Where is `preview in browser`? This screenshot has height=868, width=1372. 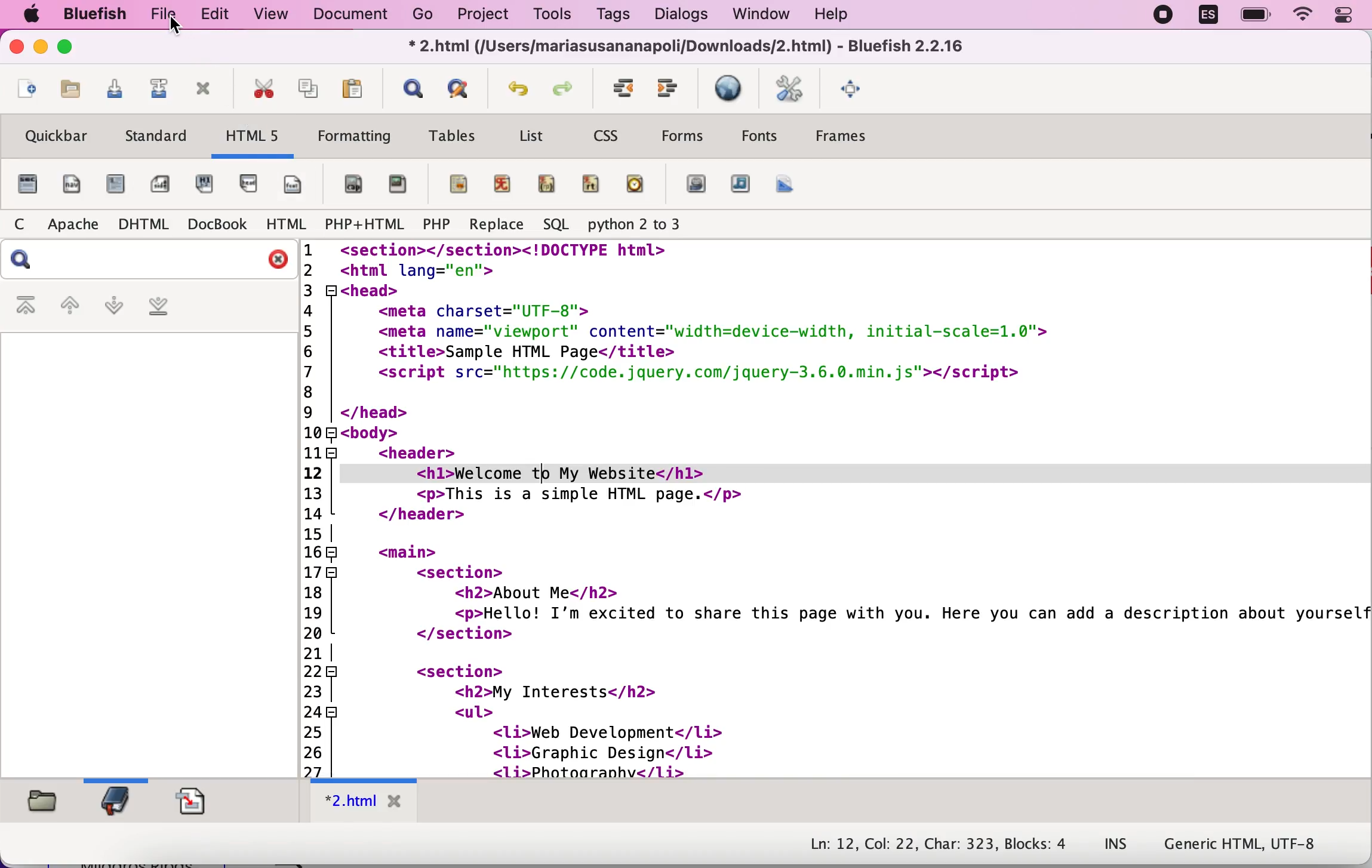 preview in browser is located at coordinates (729, 90).